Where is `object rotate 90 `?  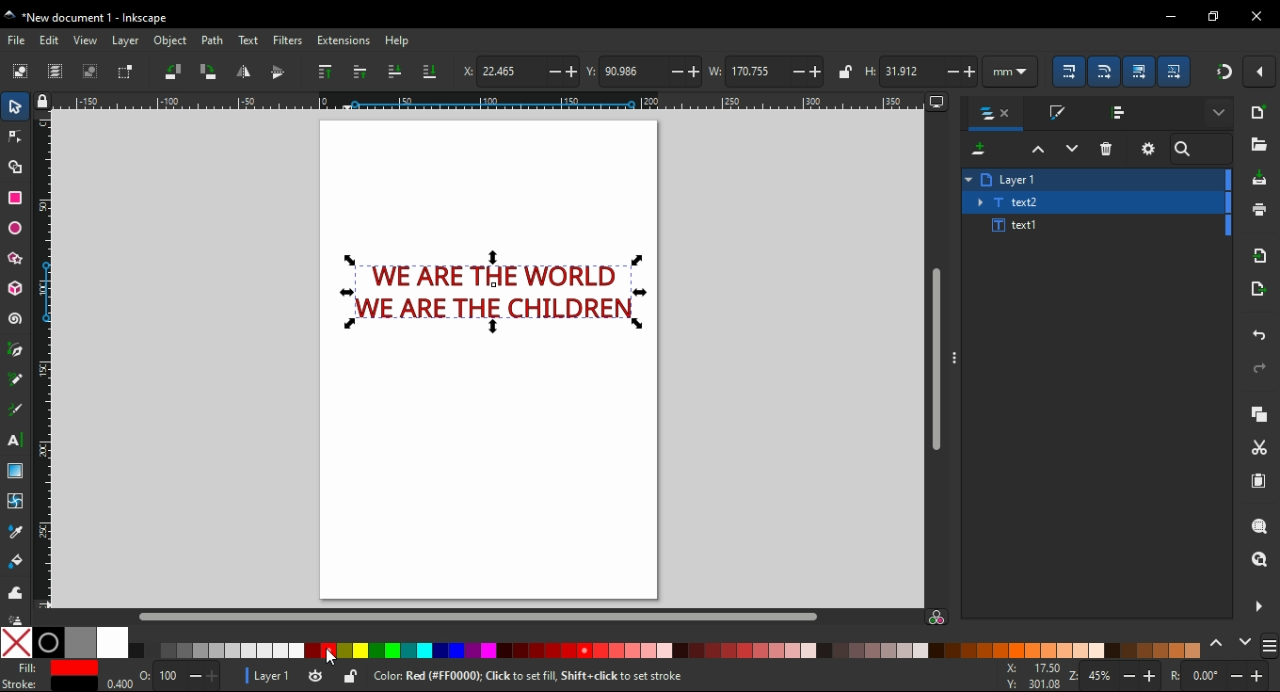 object rotate 90  is located at coordinates (209, 71).